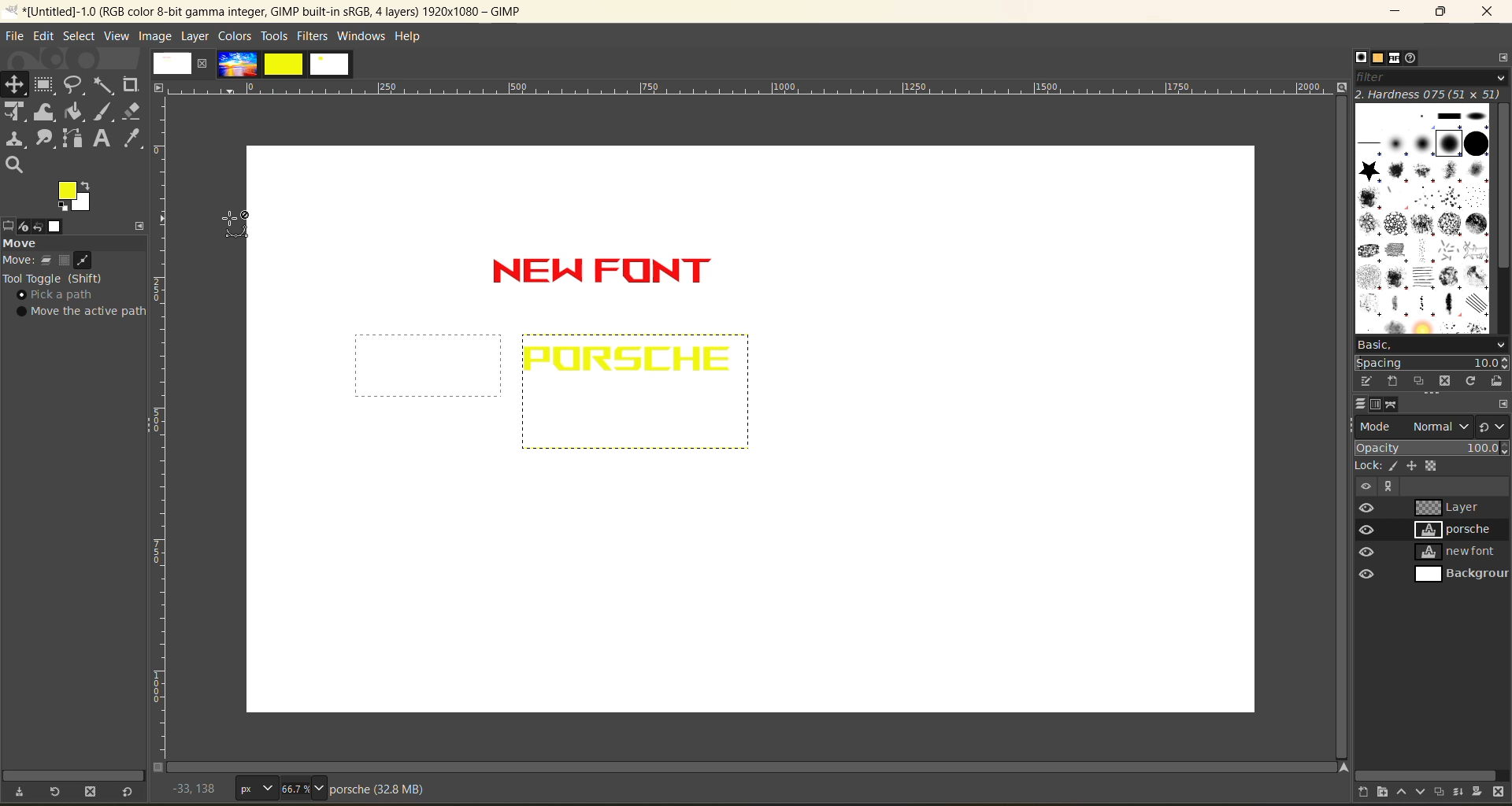 The width and height of the screenshot is (1512, 806). Describe the element at coordinates (1434, 467) in the screenshot. I see `alpha` at that location.